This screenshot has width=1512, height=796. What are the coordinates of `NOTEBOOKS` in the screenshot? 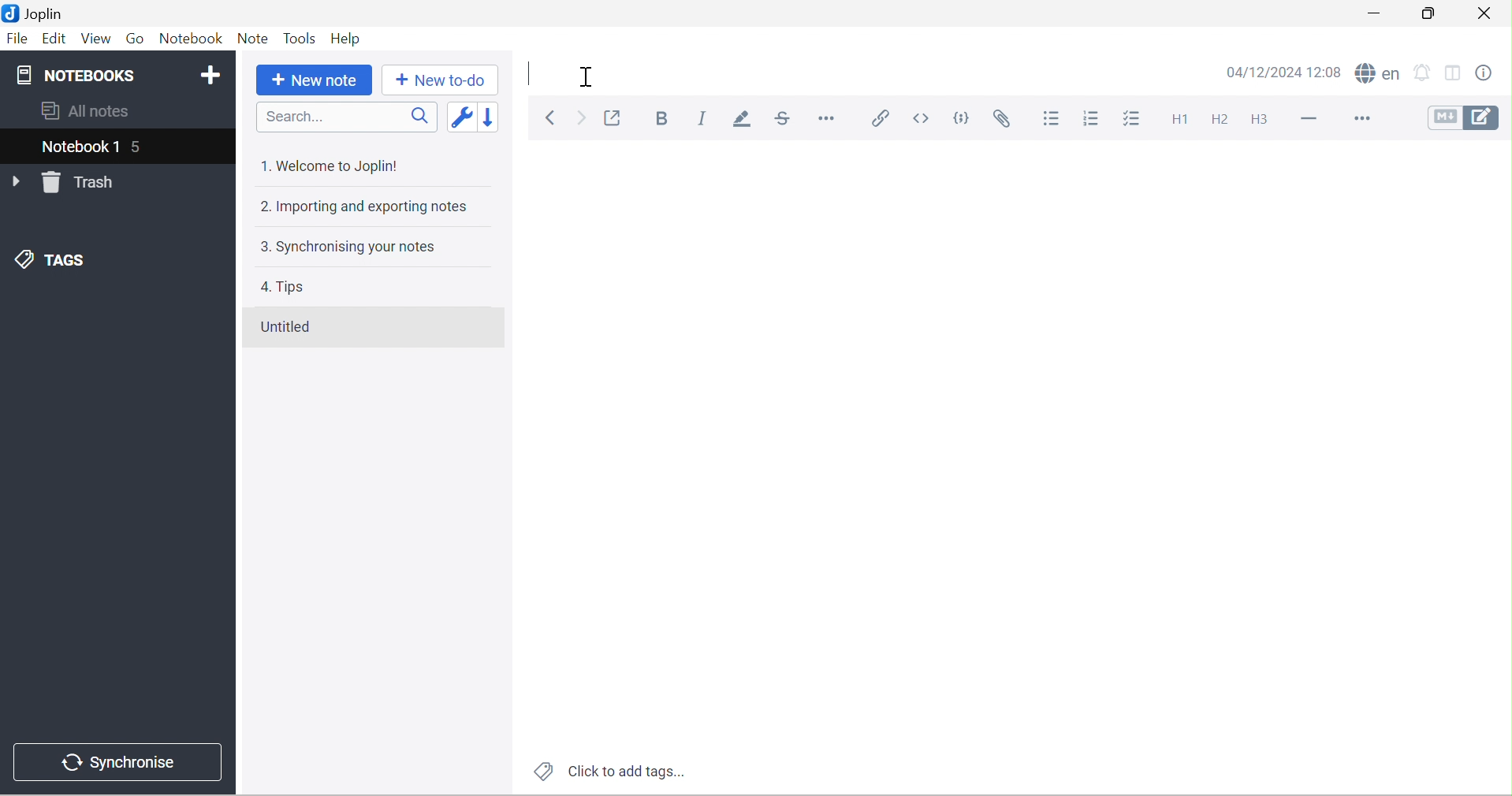 It's located at (80, 75).